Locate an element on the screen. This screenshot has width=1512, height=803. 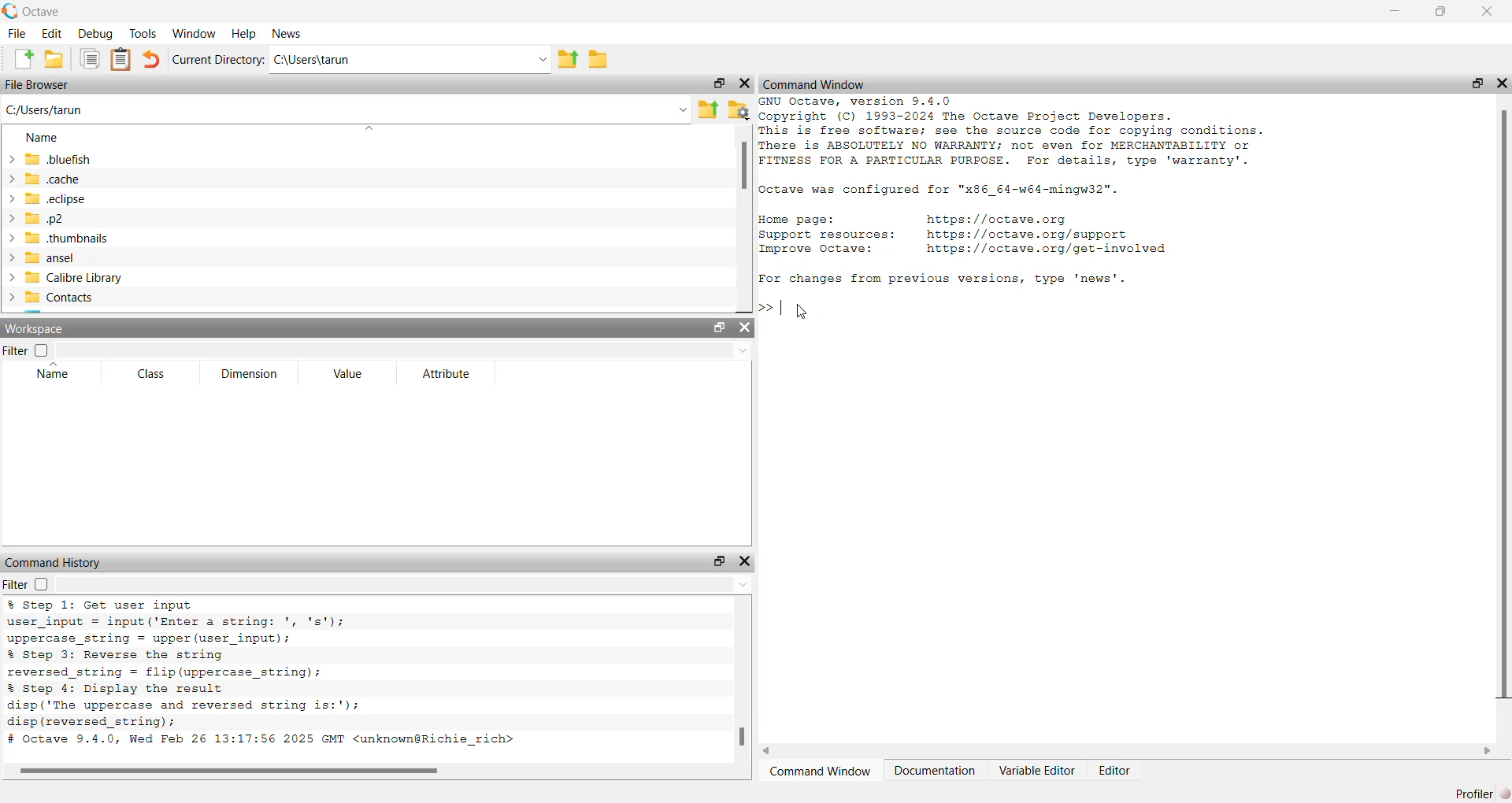
hide widget is located at coordinates (744, 81).